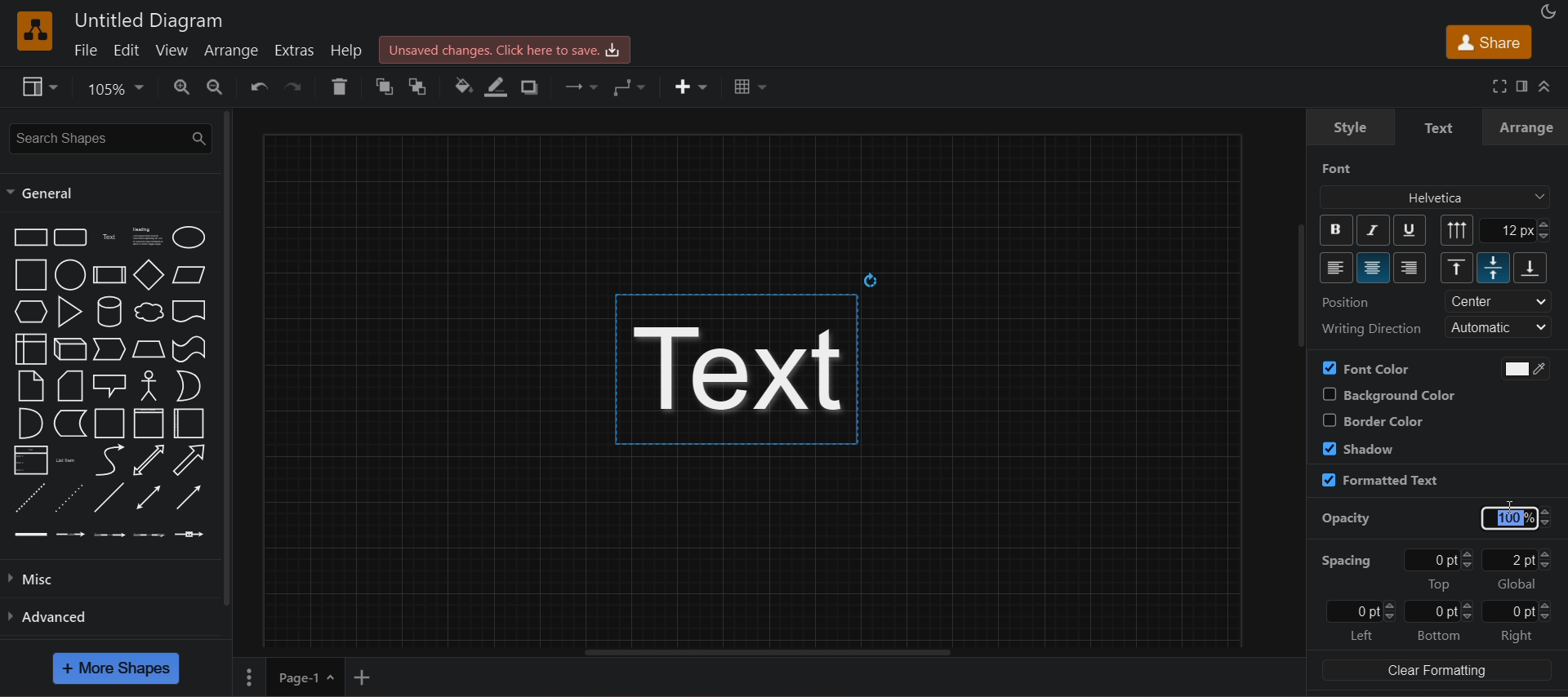 The image size is (1568, 697). What do you see at coordinates (149, 349) in the screenshot?
I see `trapezoid` at bounding box center [149, 349].